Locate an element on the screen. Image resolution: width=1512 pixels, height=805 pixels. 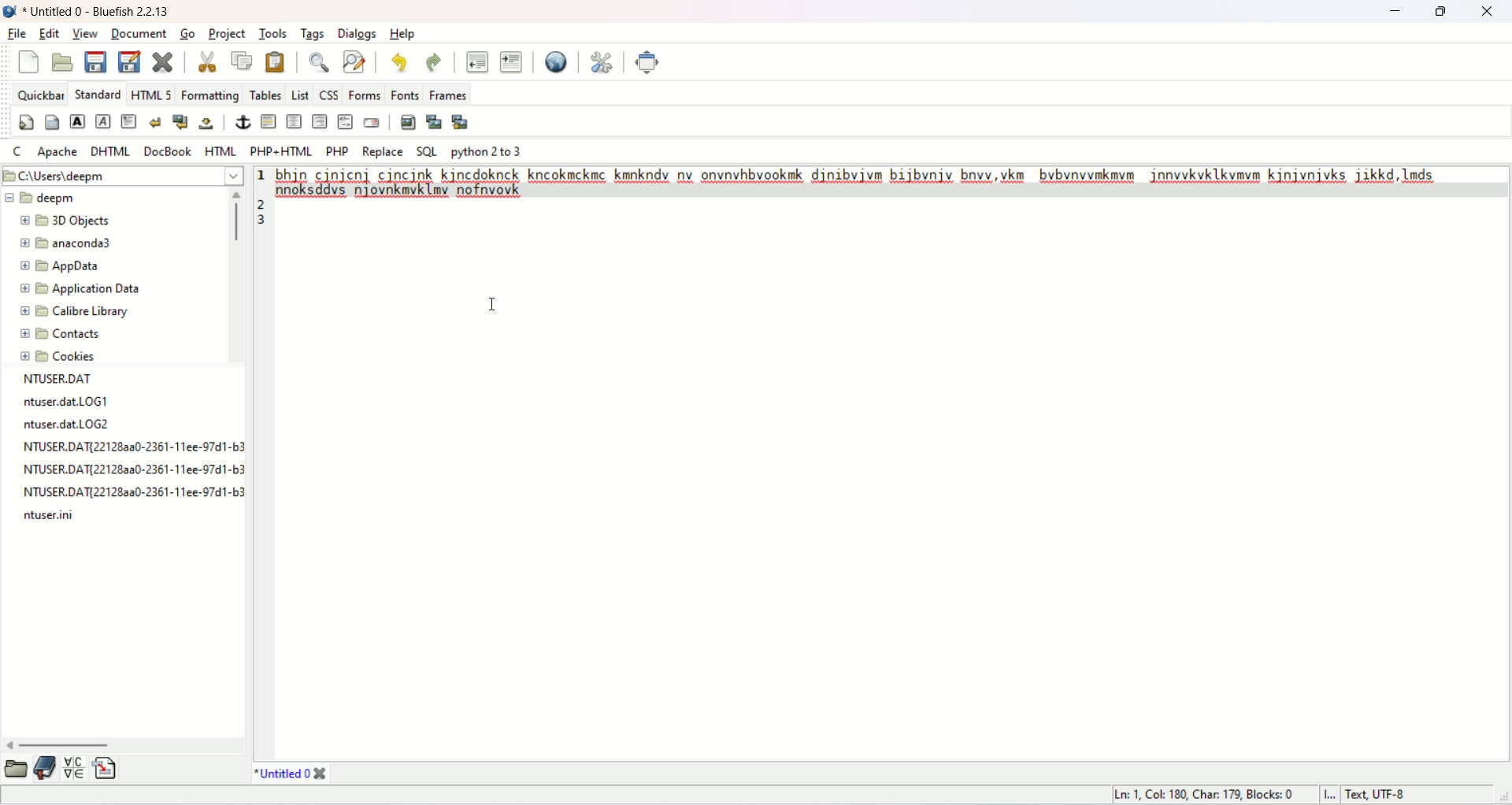
dialogs is located at coordinates (359, 34).